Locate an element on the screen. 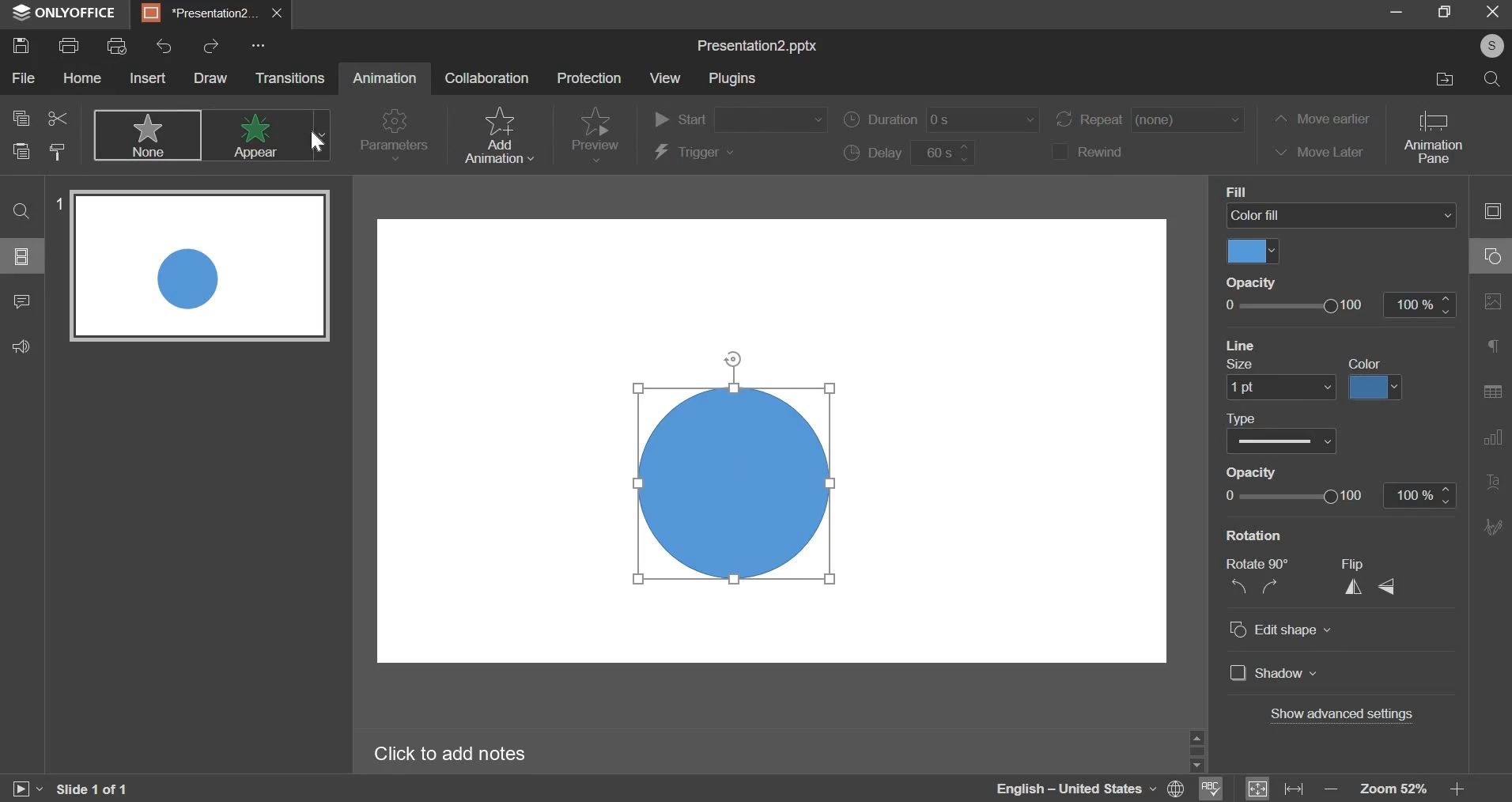 The width and height of the screenshot is (1512, 802). slide area is located at coordinates (776, 433).